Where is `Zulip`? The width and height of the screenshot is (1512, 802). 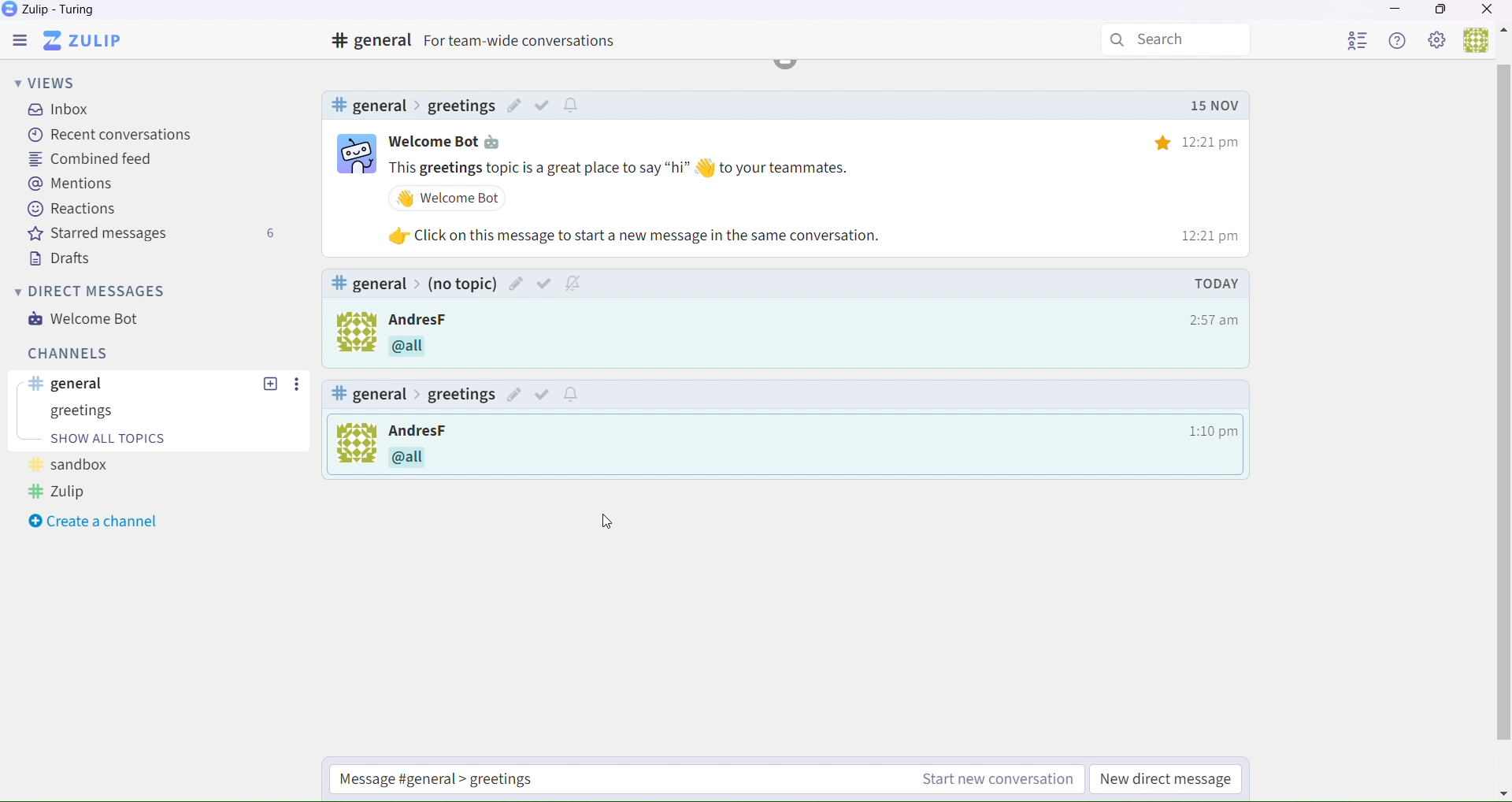
Zulip is located at coordinates (92, 39).